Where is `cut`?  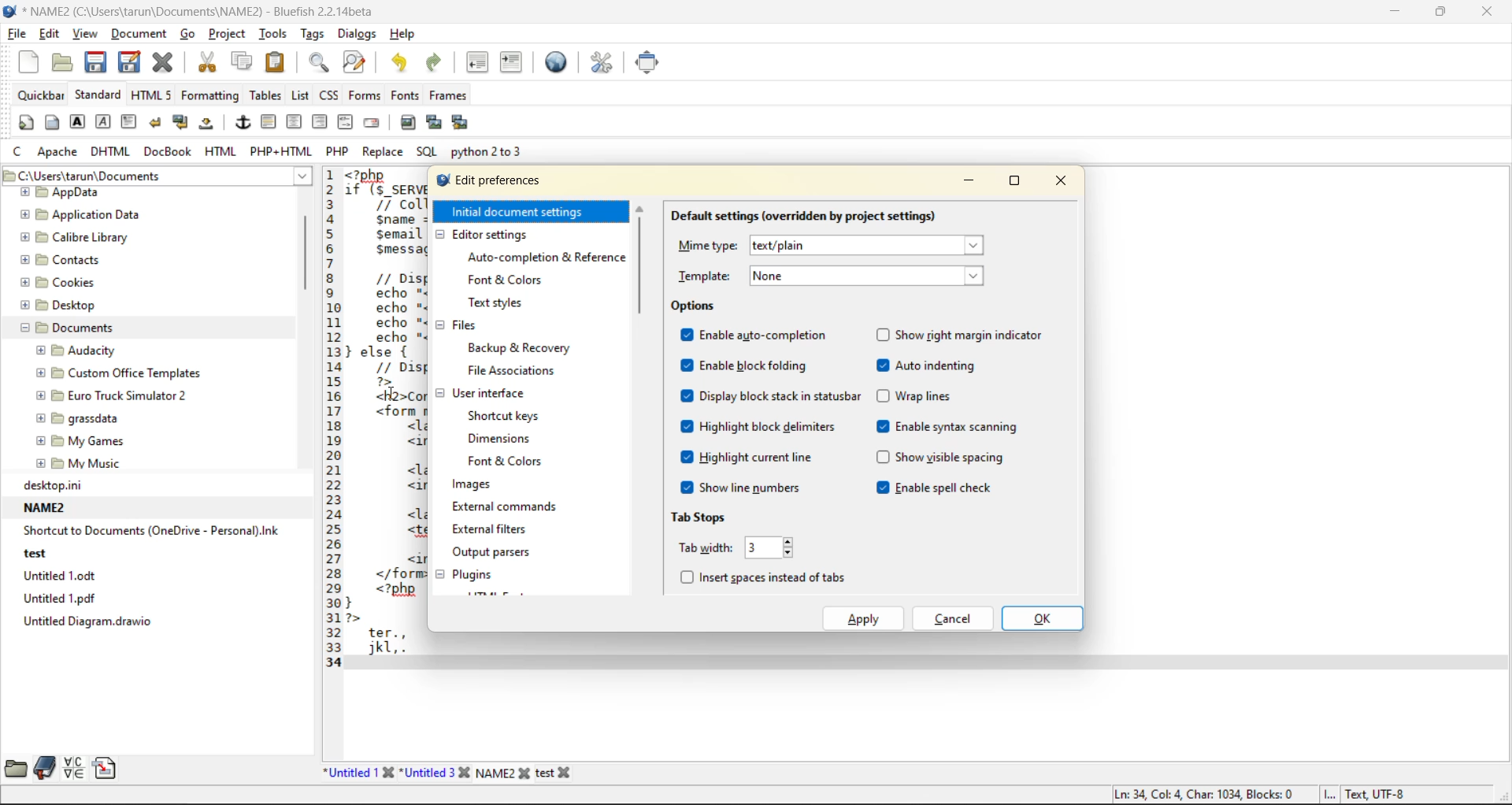
cut is located at coordinates (208, 65).